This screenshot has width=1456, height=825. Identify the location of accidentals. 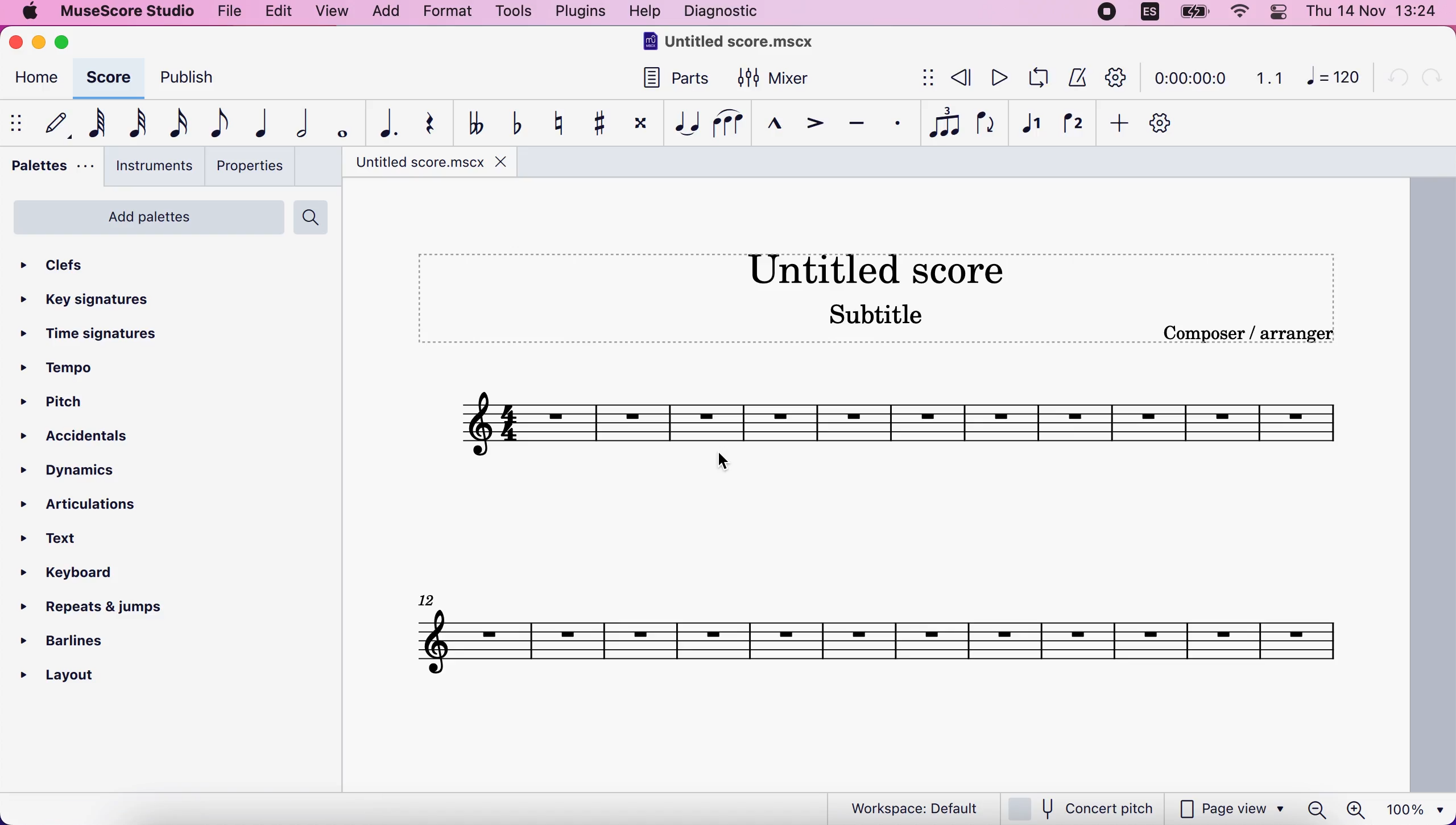
(86, 439).